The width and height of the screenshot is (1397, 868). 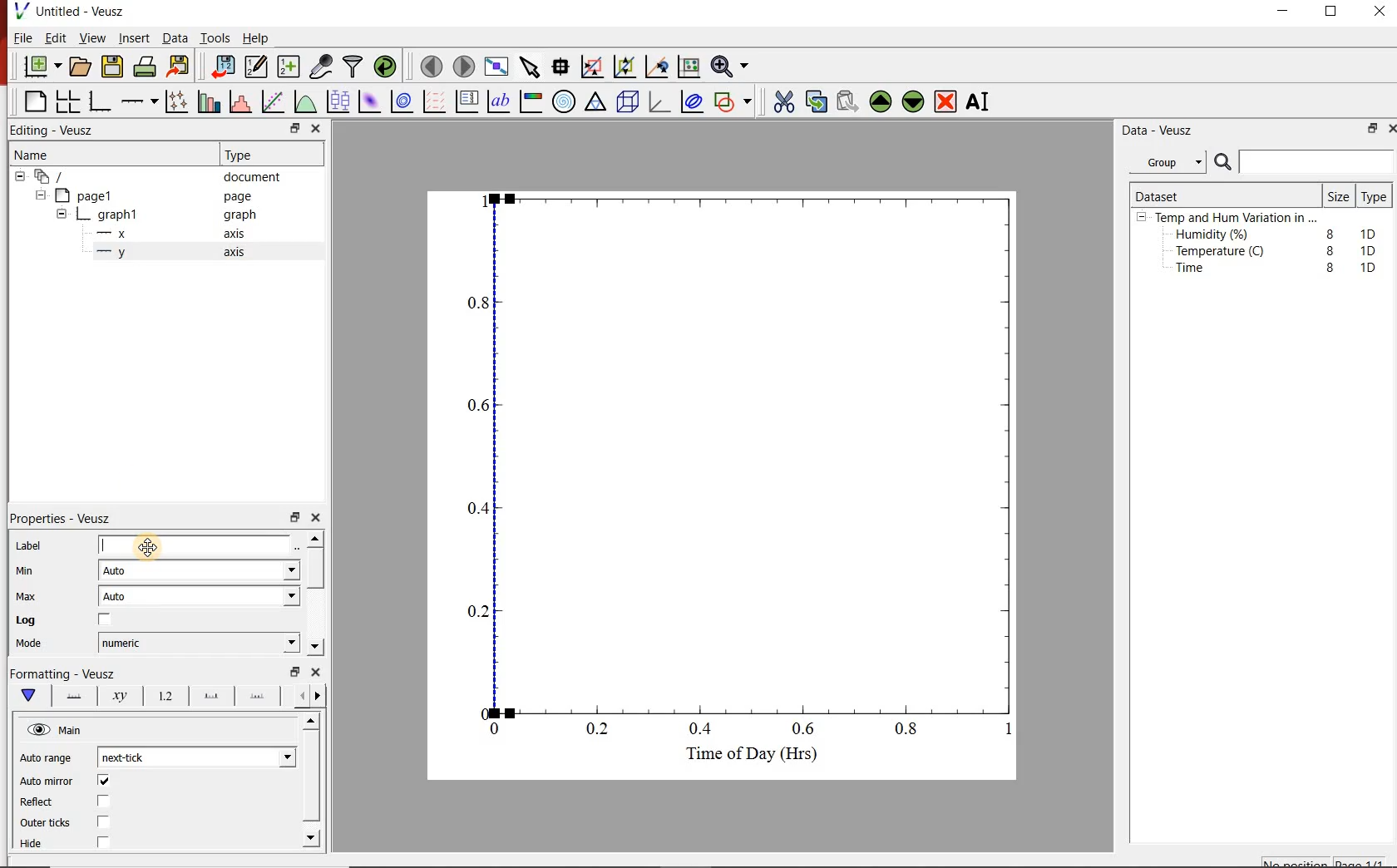 I want to click on Hide, so click(x=86, y=842).